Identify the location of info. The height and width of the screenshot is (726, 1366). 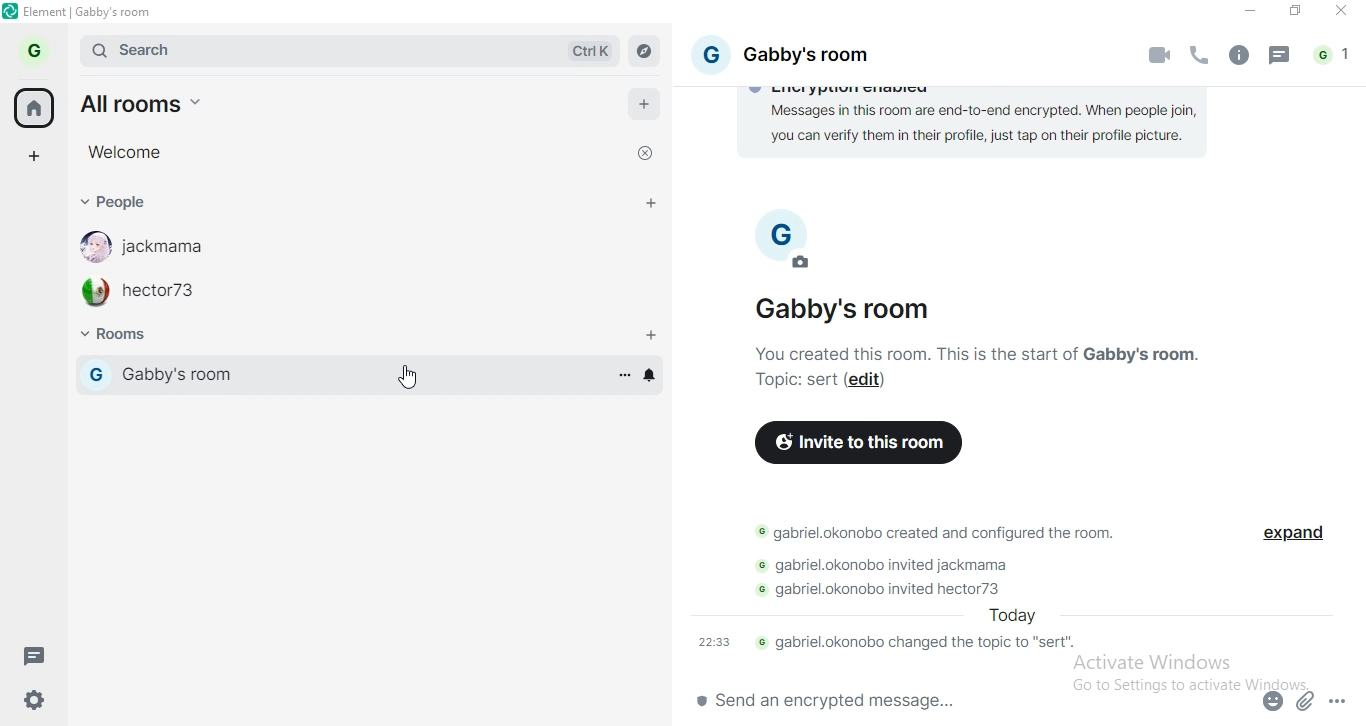
(1237, 56).